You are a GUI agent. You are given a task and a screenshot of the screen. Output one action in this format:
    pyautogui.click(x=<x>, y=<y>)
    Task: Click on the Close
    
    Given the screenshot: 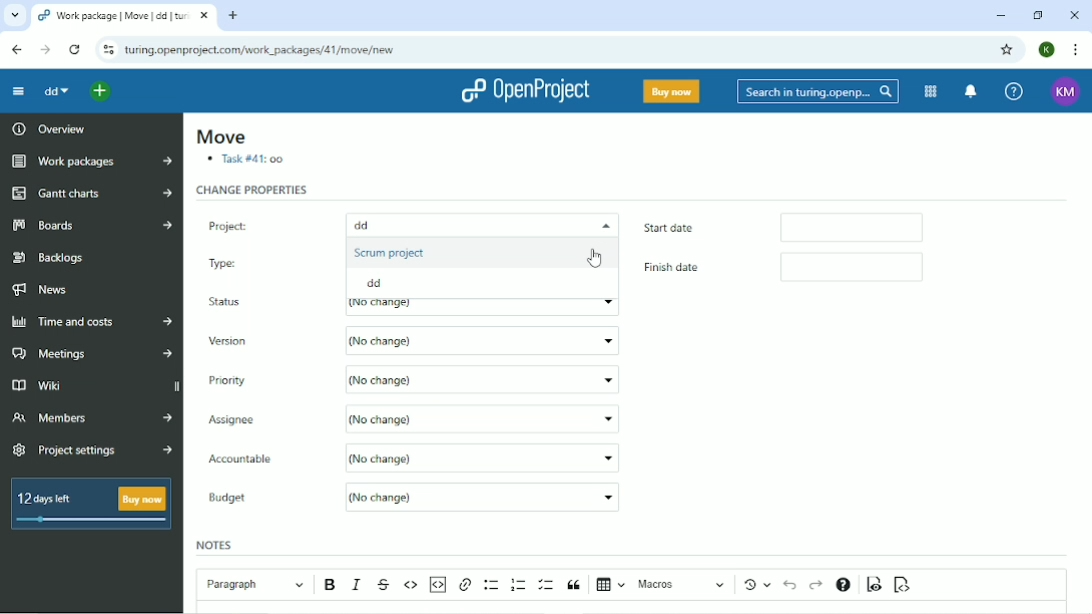 What is the action you would take?
    pyautogui.click(x=1073, y=16)
    